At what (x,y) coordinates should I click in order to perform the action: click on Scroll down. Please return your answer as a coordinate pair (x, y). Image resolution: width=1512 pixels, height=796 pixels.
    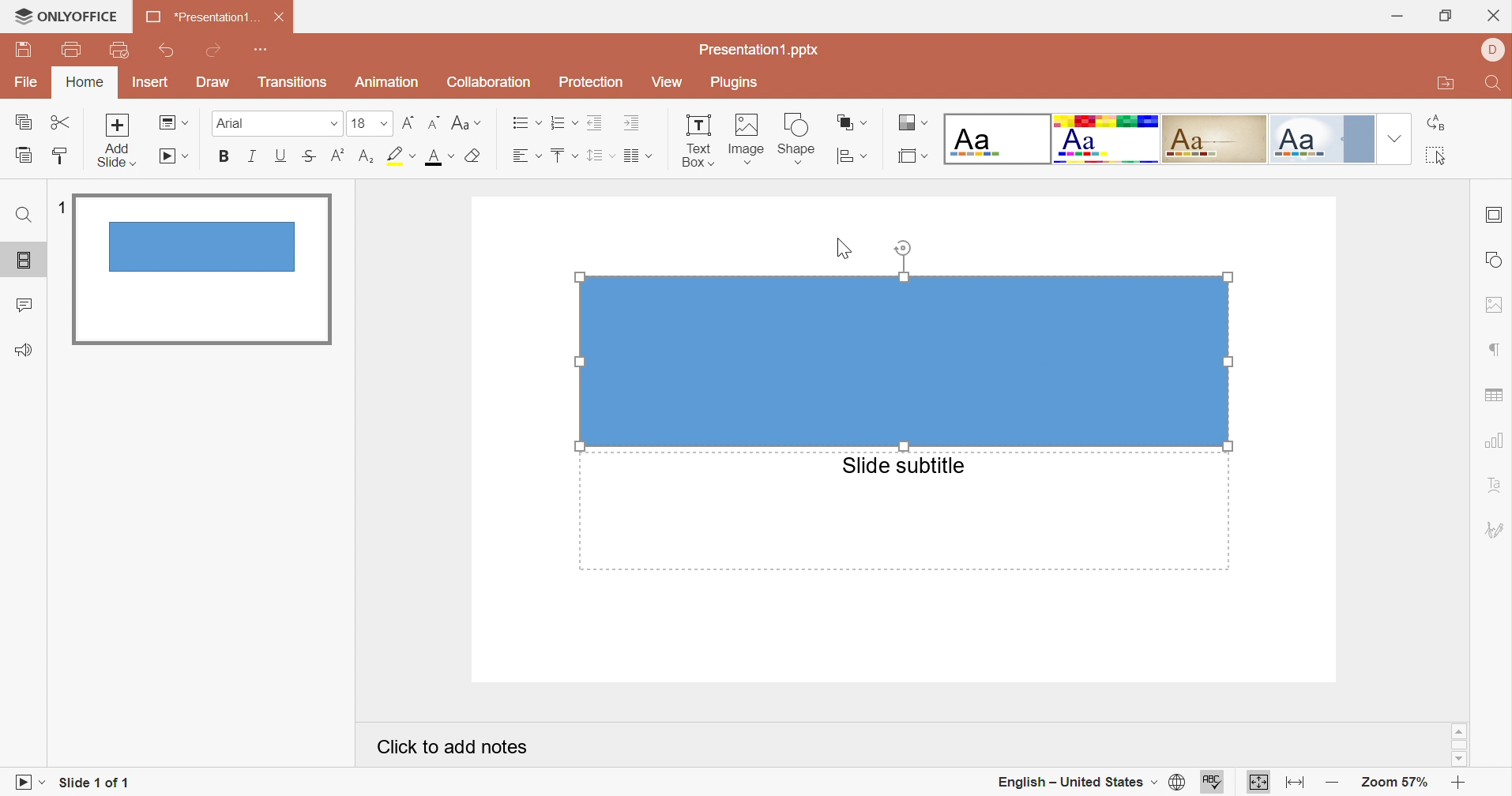
    Looking at the image, I should click on (1457, 760).